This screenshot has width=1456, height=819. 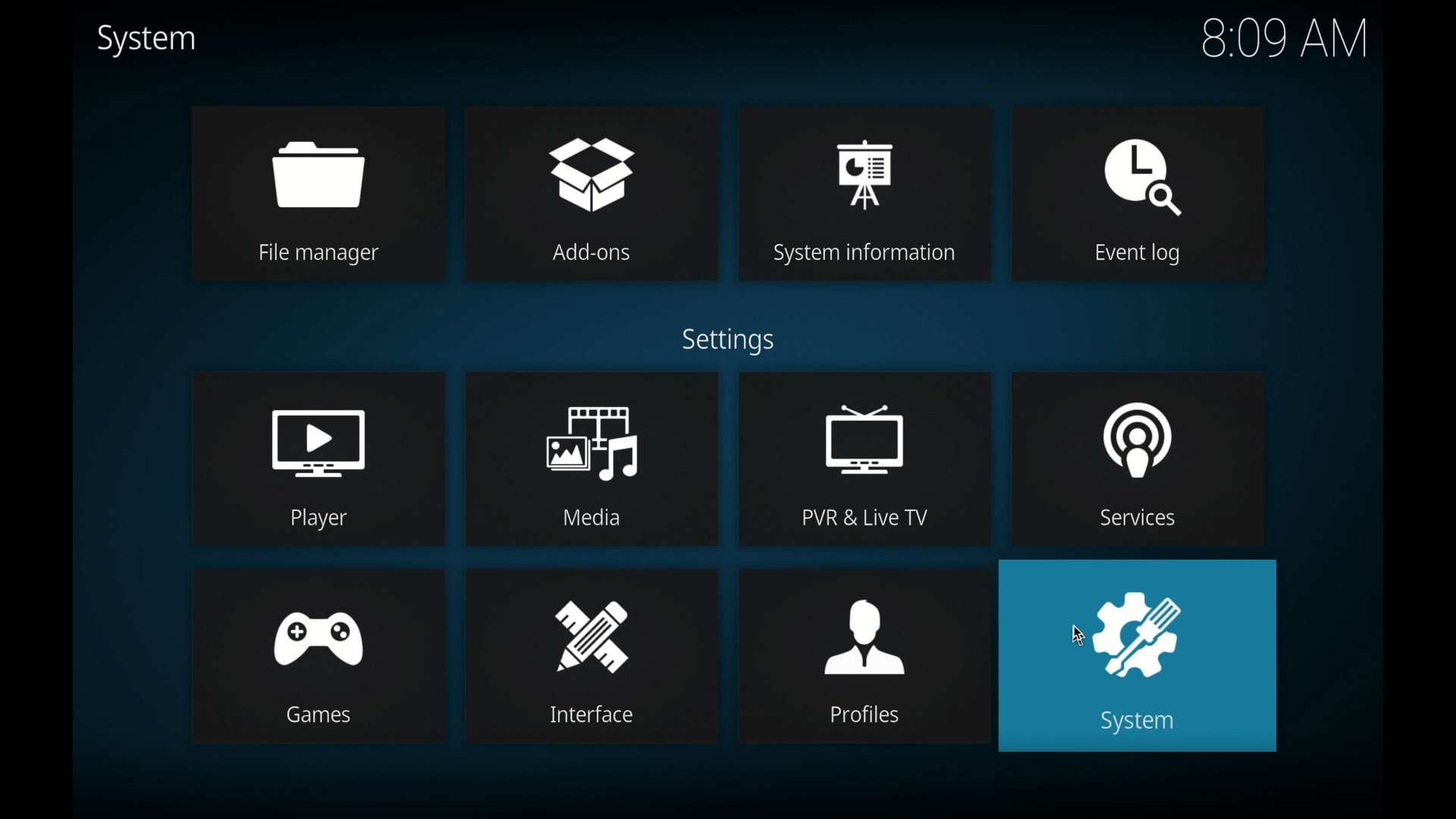 What do you see at coordinates (591, 458) in the screenshot?
I see `media` at bounding box center [591, 458].